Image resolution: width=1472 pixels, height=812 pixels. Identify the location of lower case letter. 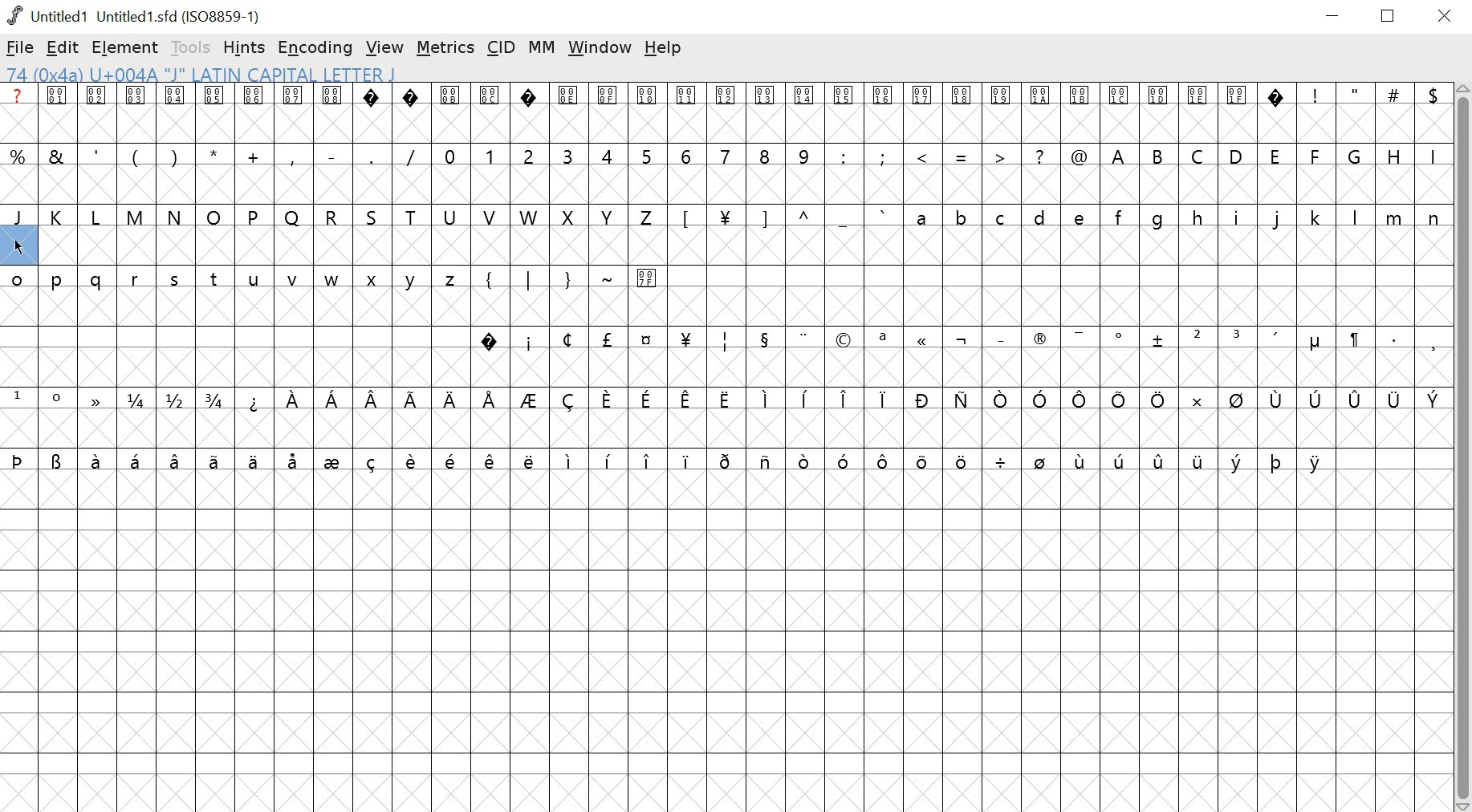
(1176, 217).